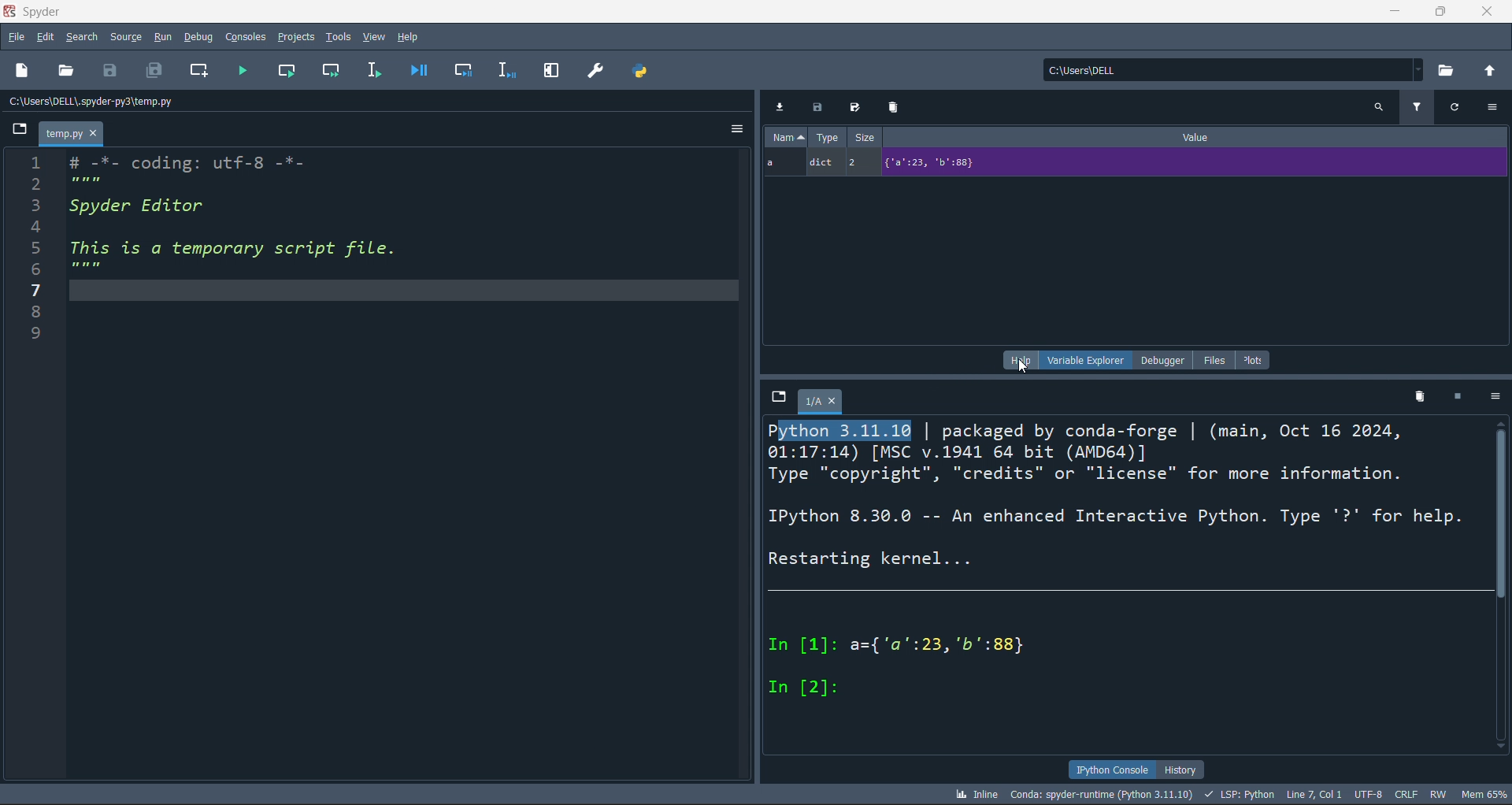 The width and height of the screenshot is (1512, 805). Describe the element at coordinates (202, 73) in the screenshot. I see `new cell` at that location.